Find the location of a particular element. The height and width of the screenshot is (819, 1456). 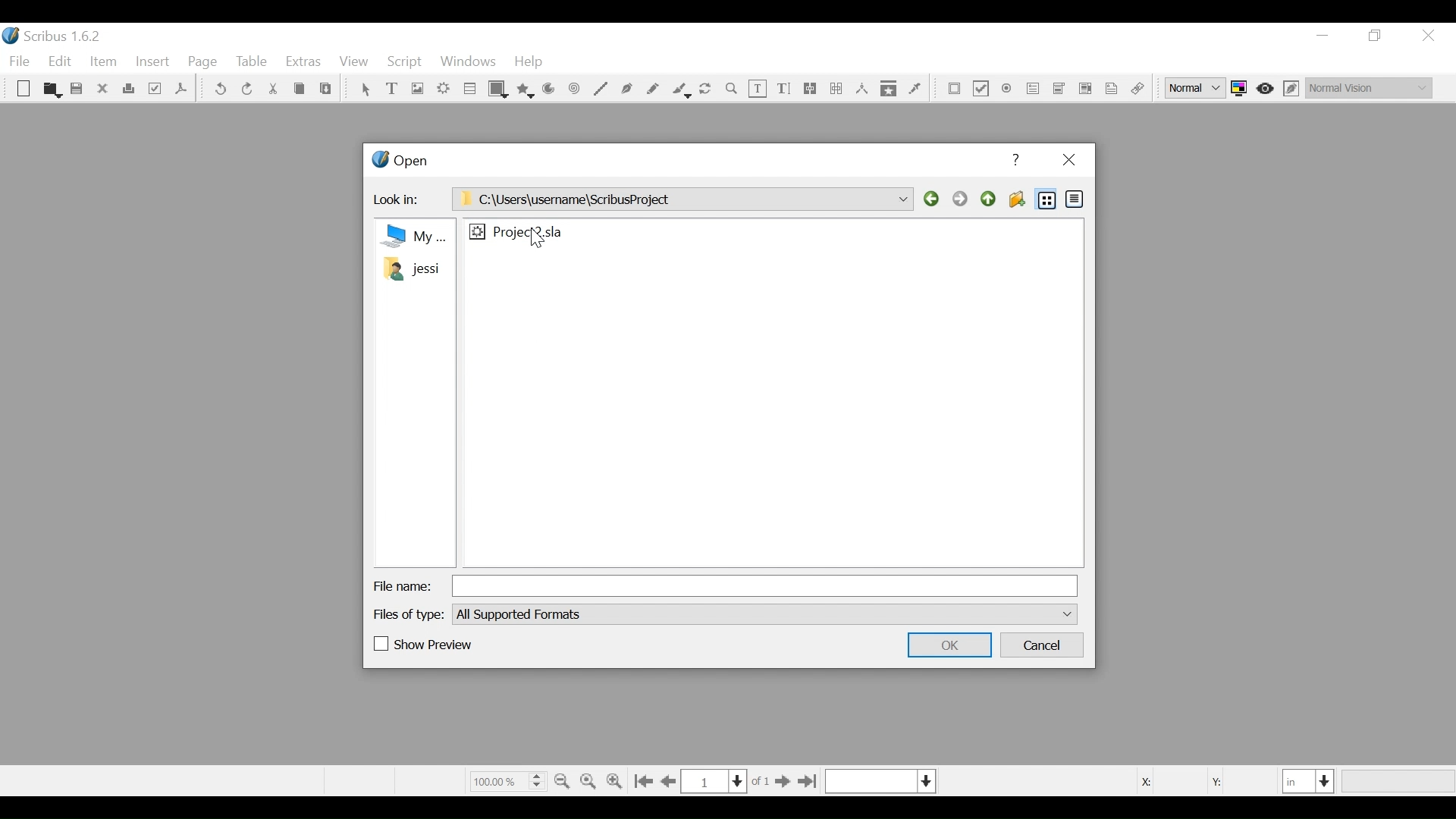

View is located at coordinates (353, 63).